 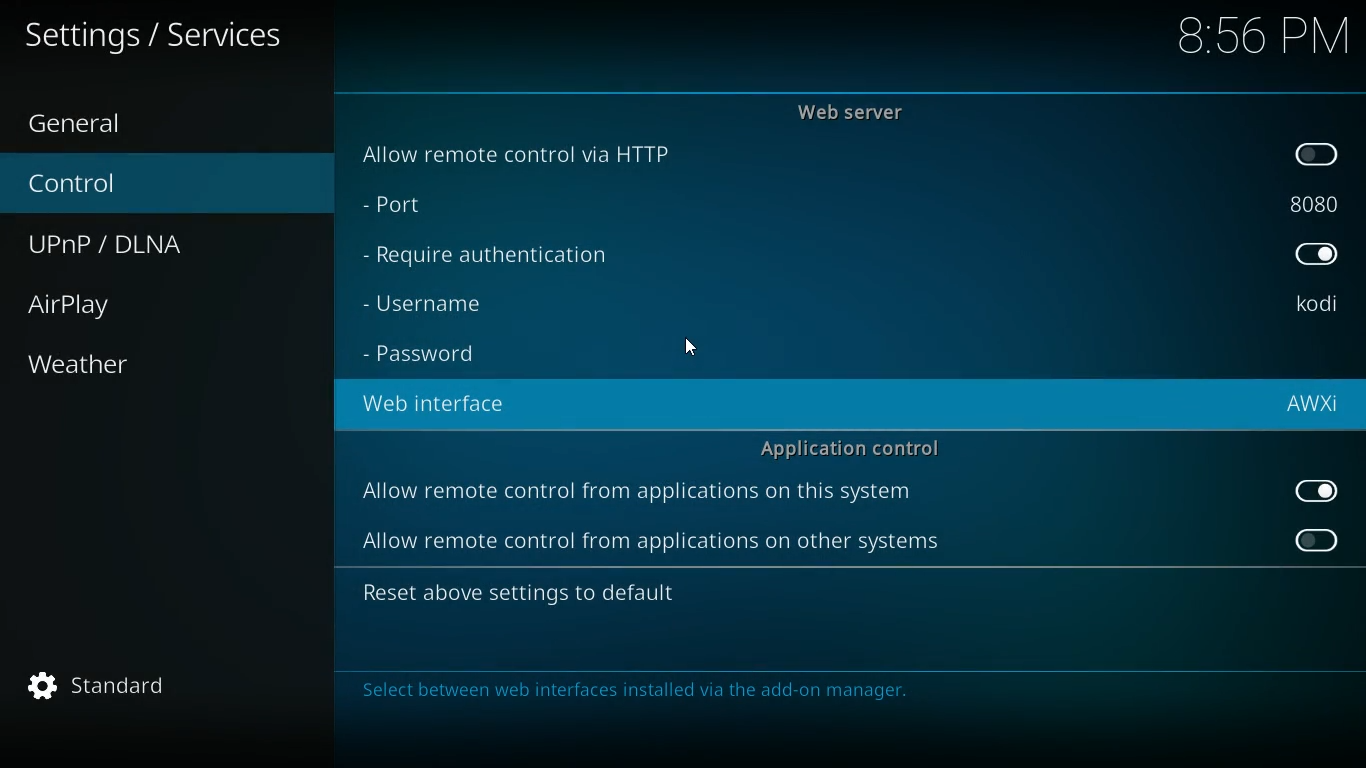 What do you see at coordinates (1315, 540) in the screenshot?
I see `off` at bounding box center [1315, 540].